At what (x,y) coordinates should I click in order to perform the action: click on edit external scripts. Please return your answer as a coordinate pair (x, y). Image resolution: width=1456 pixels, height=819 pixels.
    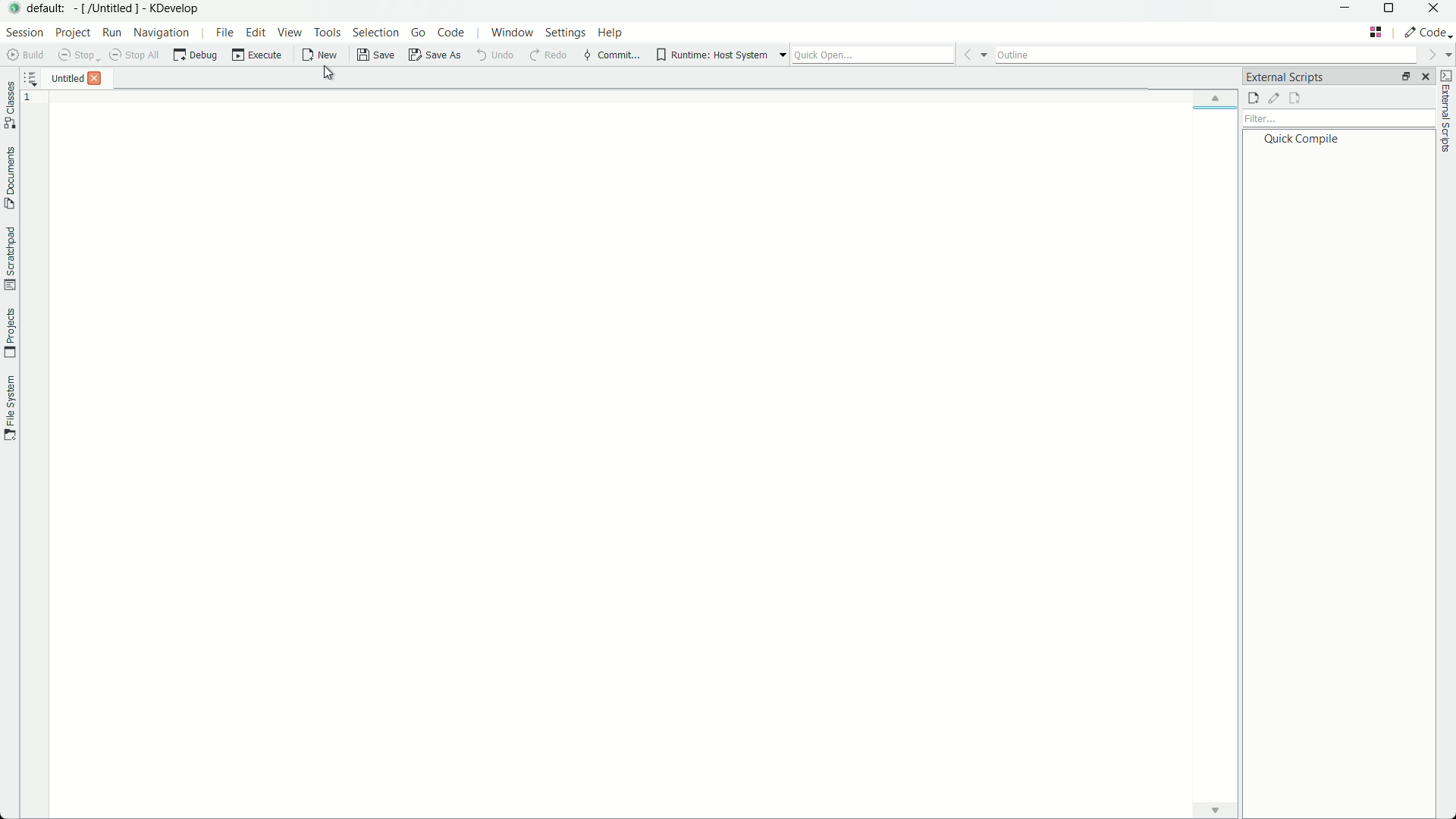
    Looking at the image, I should click on (1275, 99).